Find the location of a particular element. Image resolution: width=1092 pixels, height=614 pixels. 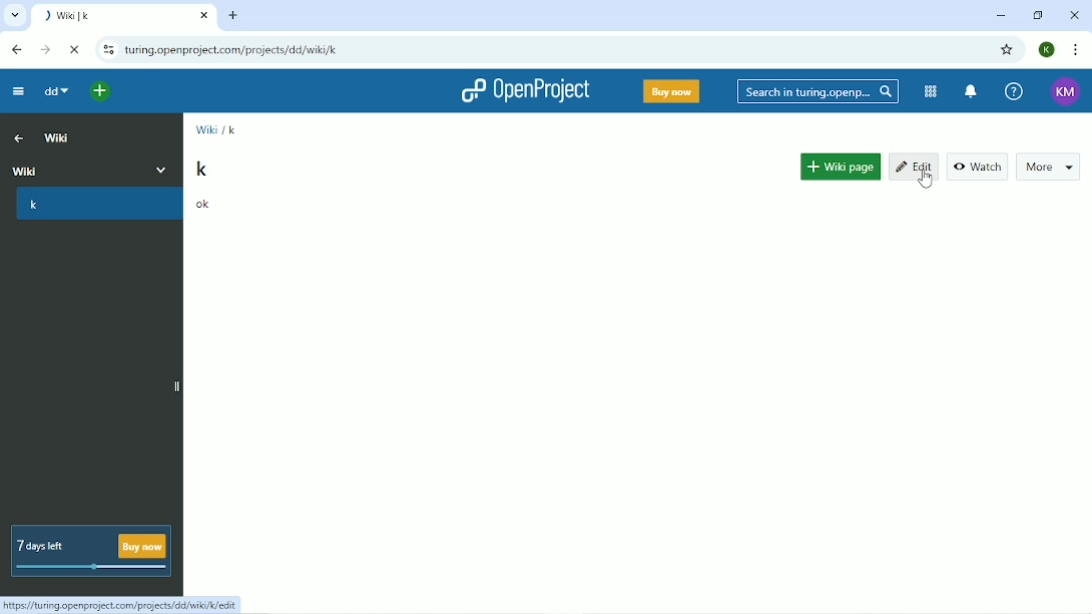

Edit is located at coordinates (913, 167).